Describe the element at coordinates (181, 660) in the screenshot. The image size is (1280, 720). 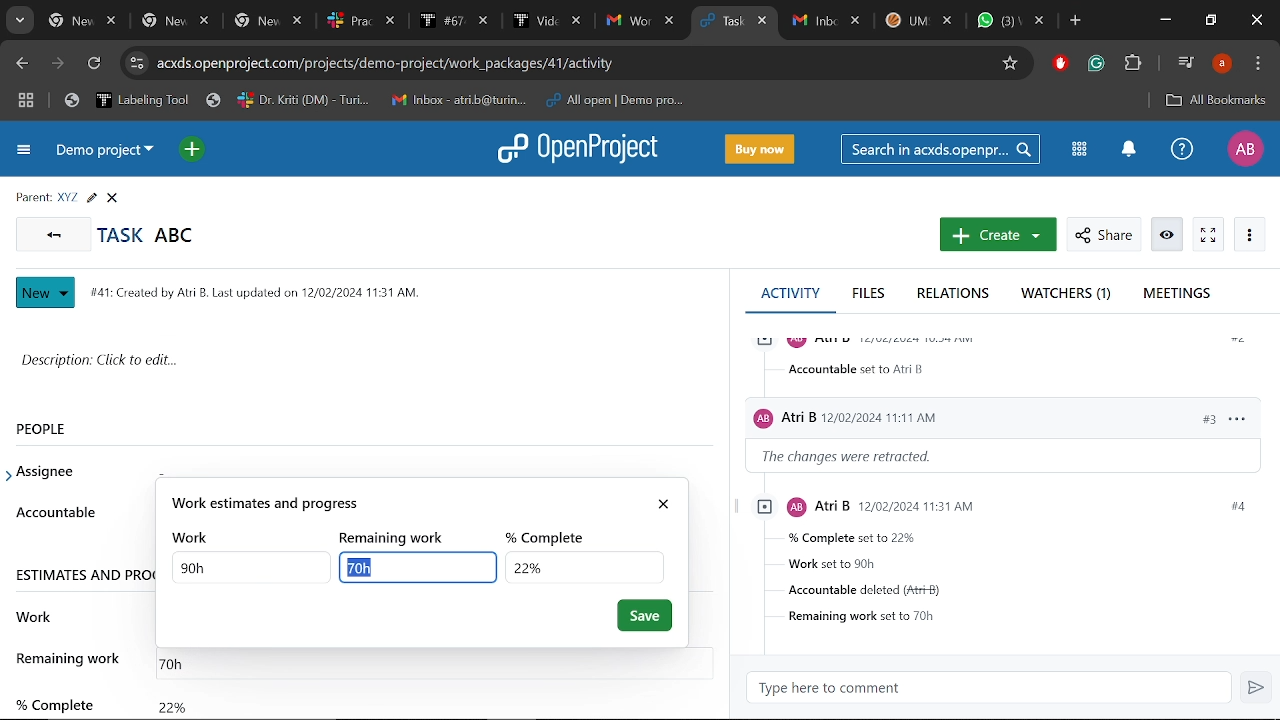
I see `Remaining work` at that location.